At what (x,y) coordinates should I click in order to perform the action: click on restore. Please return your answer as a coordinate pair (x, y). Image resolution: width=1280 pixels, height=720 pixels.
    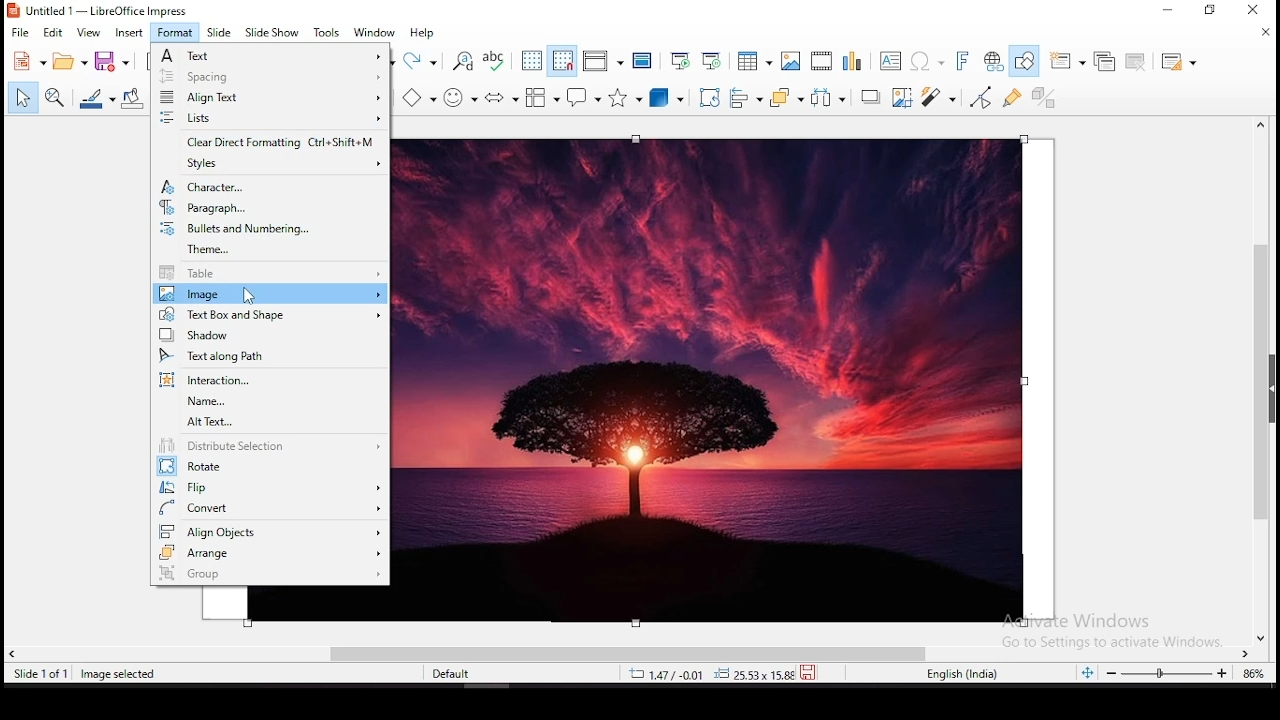
    Looking at the image, I should click on (1212, 12).